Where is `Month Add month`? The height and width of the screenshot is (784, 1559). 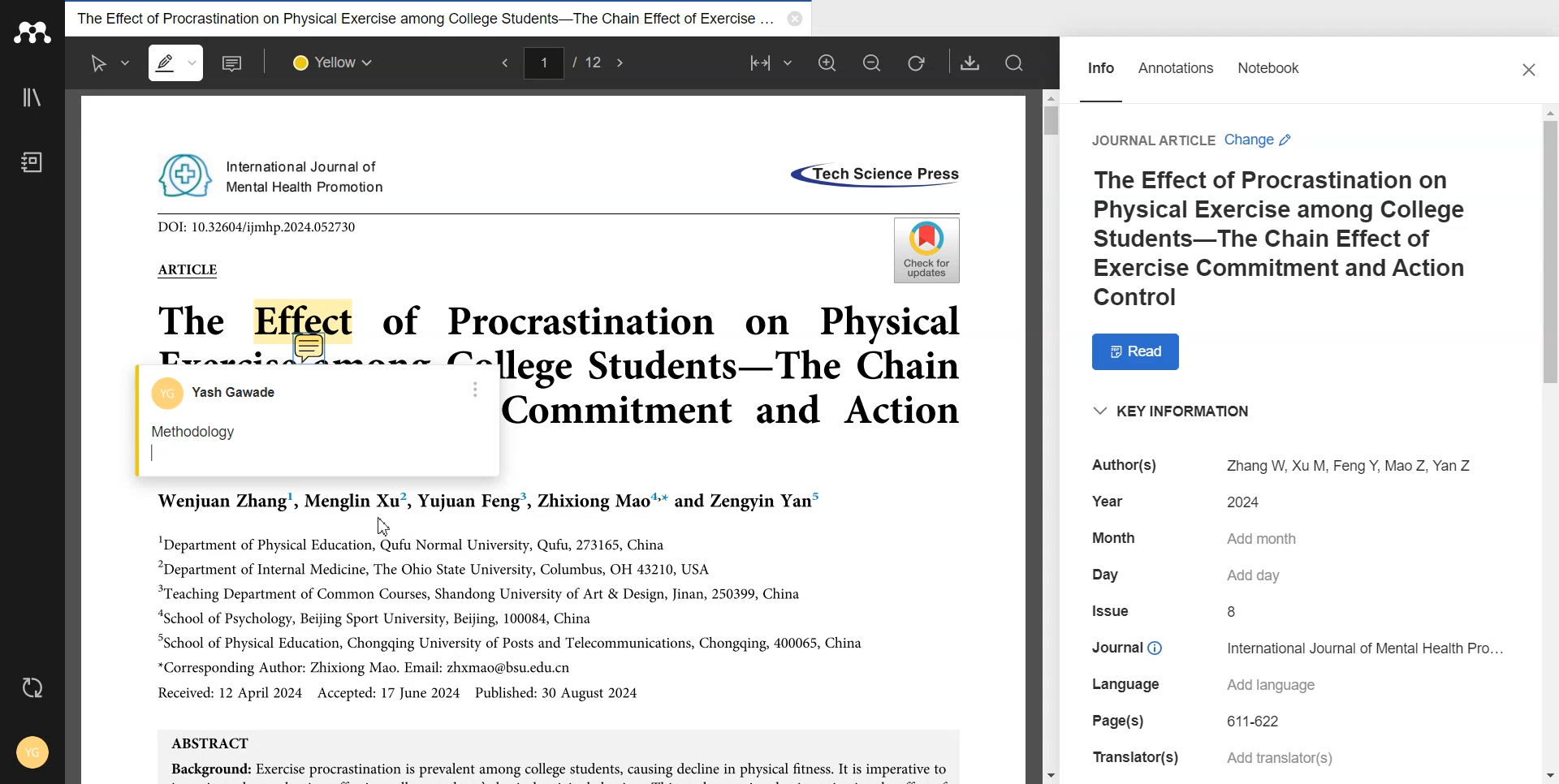
Month Add month is located at coordinates (1198, 539).